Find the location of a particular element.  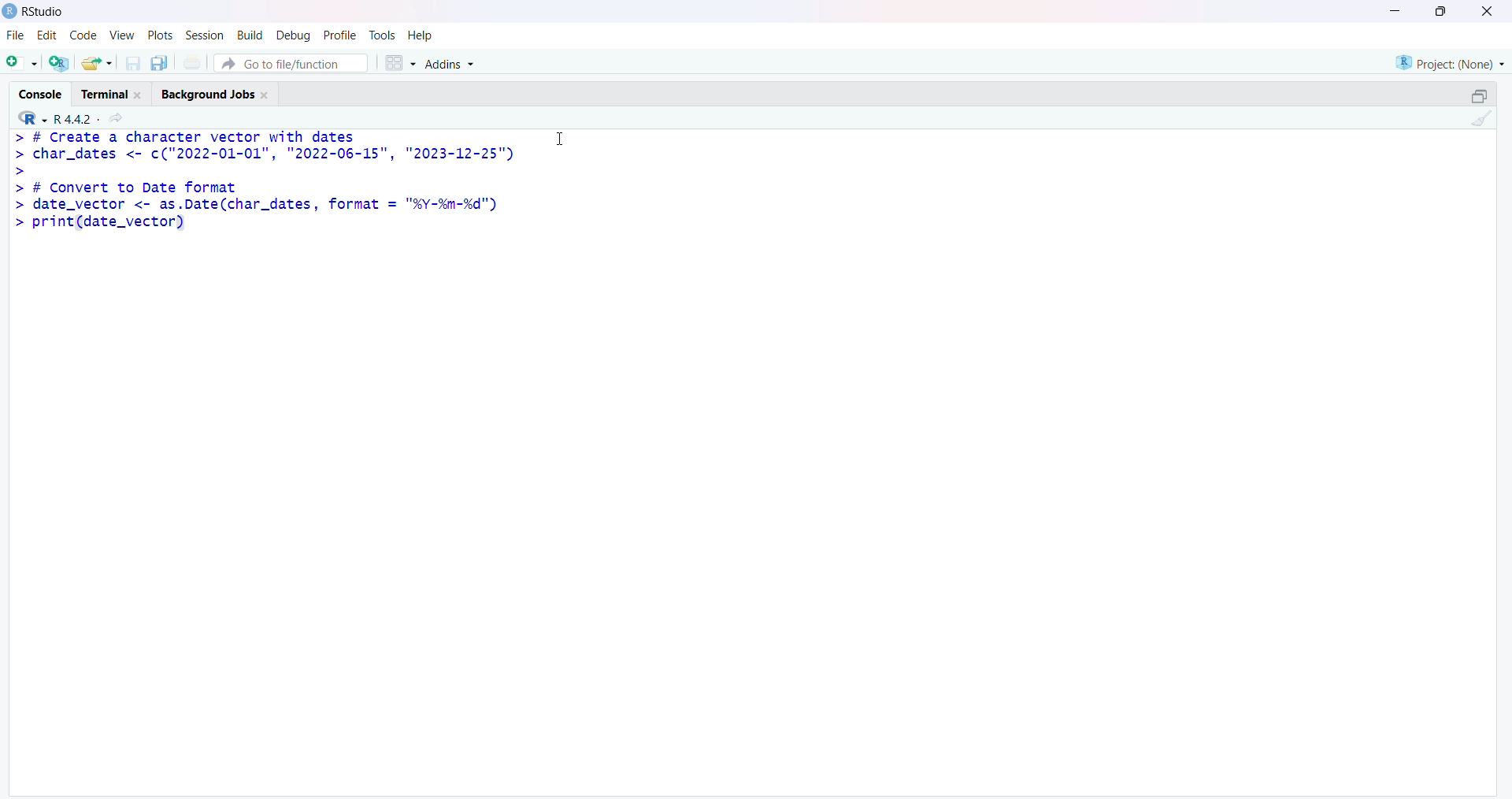

Print the current file is located at coordinates (198, 61).